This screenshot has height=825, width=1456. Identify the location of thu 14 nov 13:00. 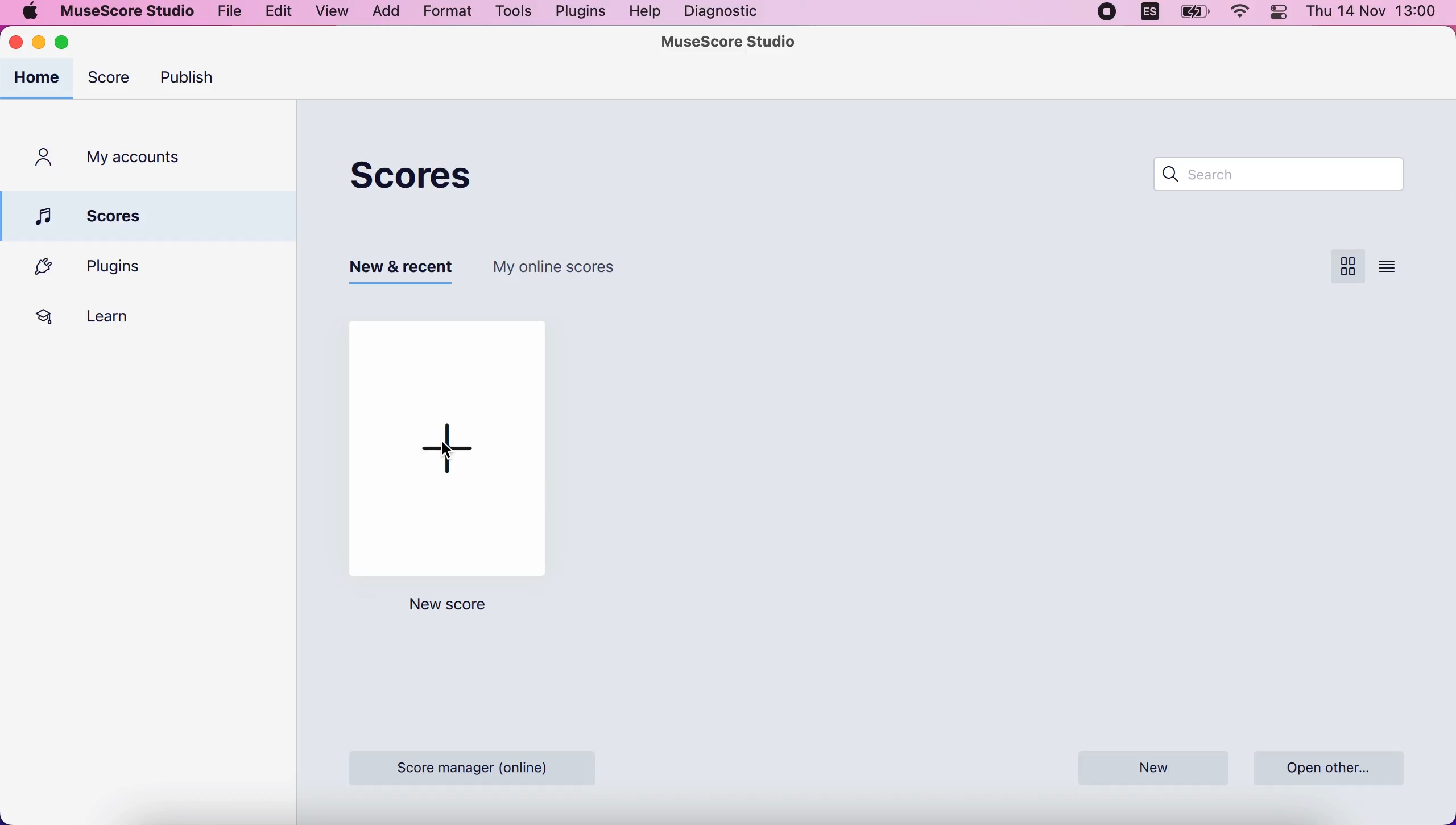
(1373, 13).